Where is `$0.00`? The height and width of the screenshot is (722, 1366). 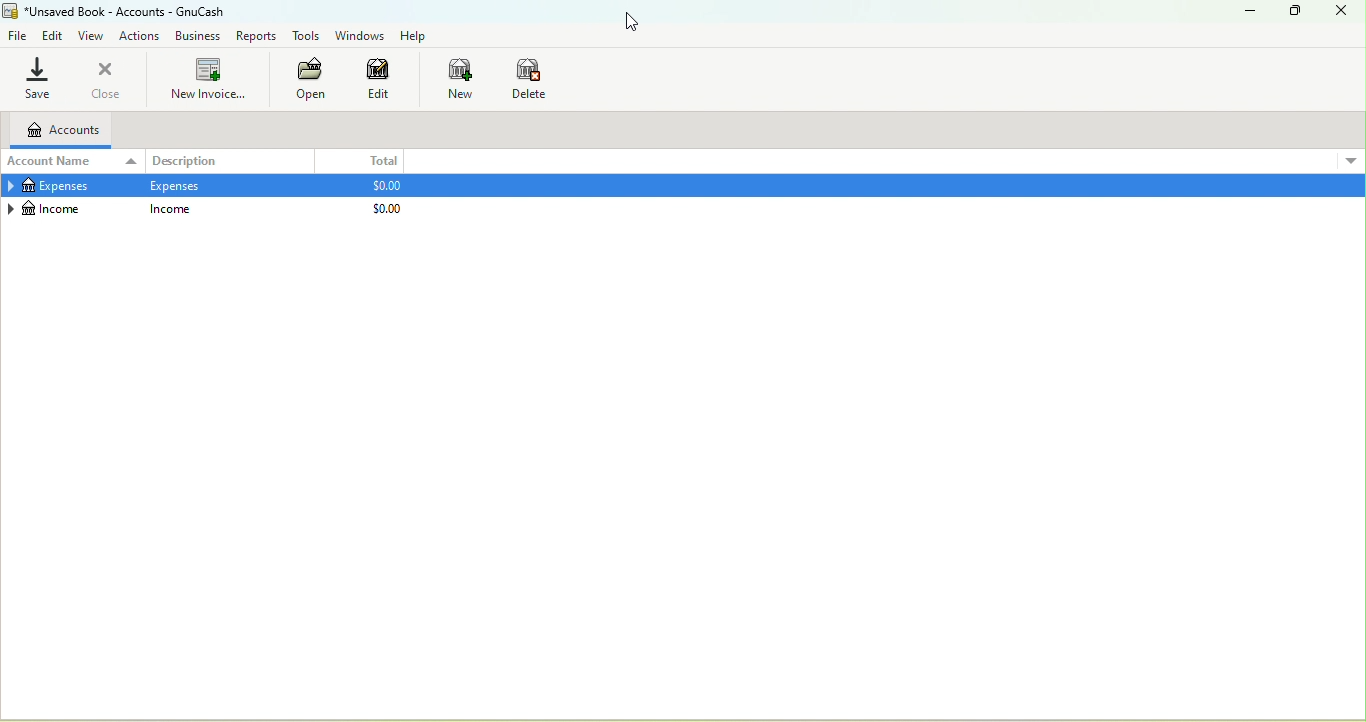
$0.00 is located at coordinates (384, 186).